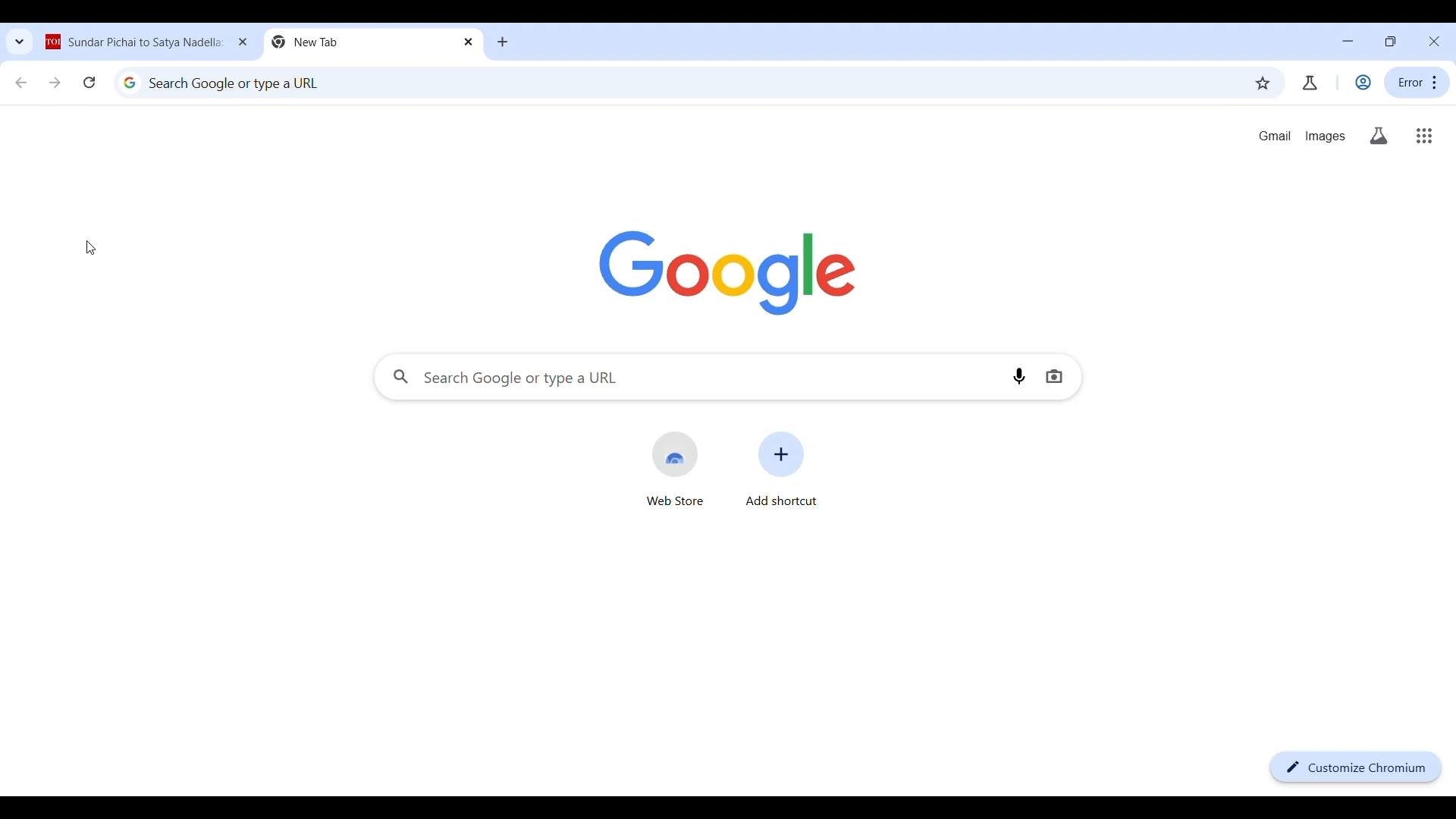 The image size is (1456, 819). What do you see at coordinates (1355, 767) in the screenshot?
I see `Customize Chromium browser` at bounding box center [1355, 767].